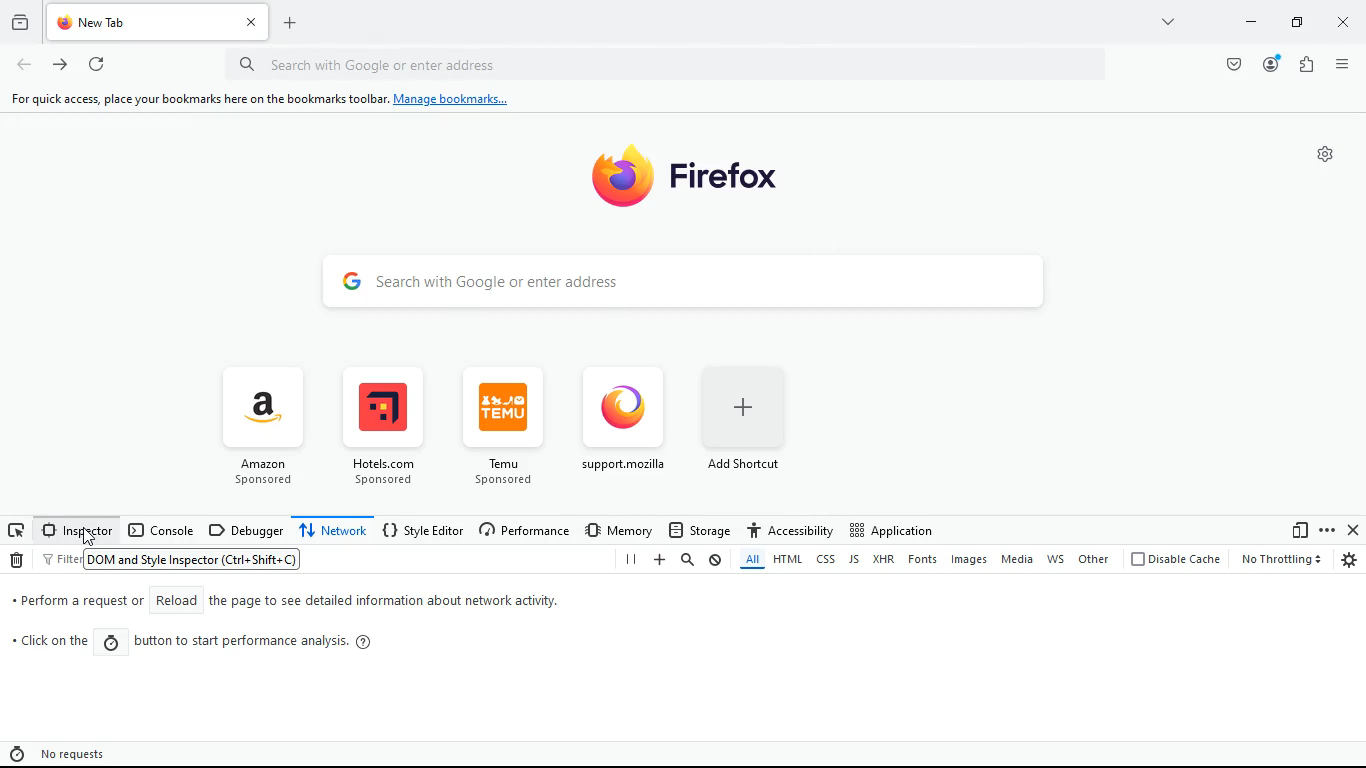  What do you see at coordinates (621, 529) in the screenshot?
I see `memory` at bounding box center [621, 529].